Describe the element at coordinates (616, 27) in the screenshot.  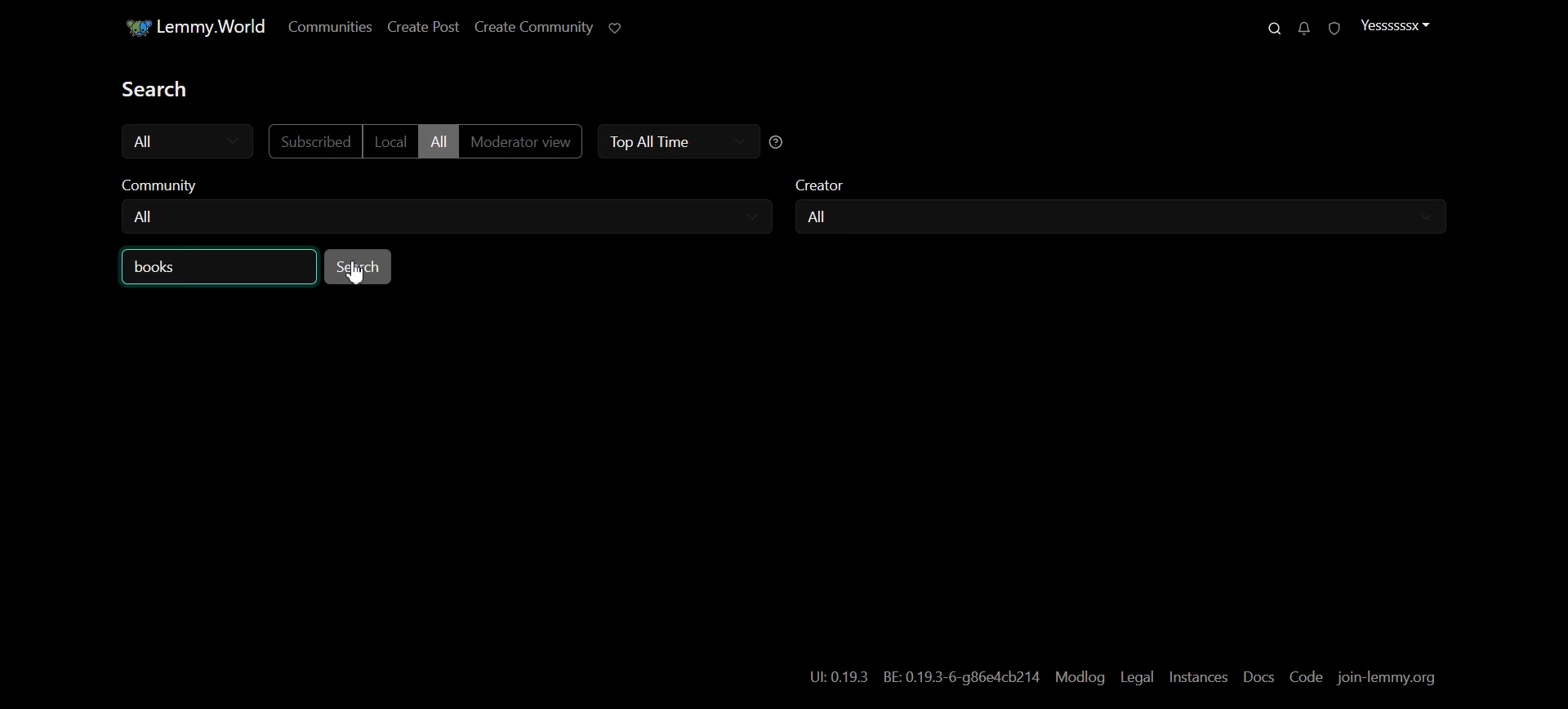
I see `Support Limmy` at that location.